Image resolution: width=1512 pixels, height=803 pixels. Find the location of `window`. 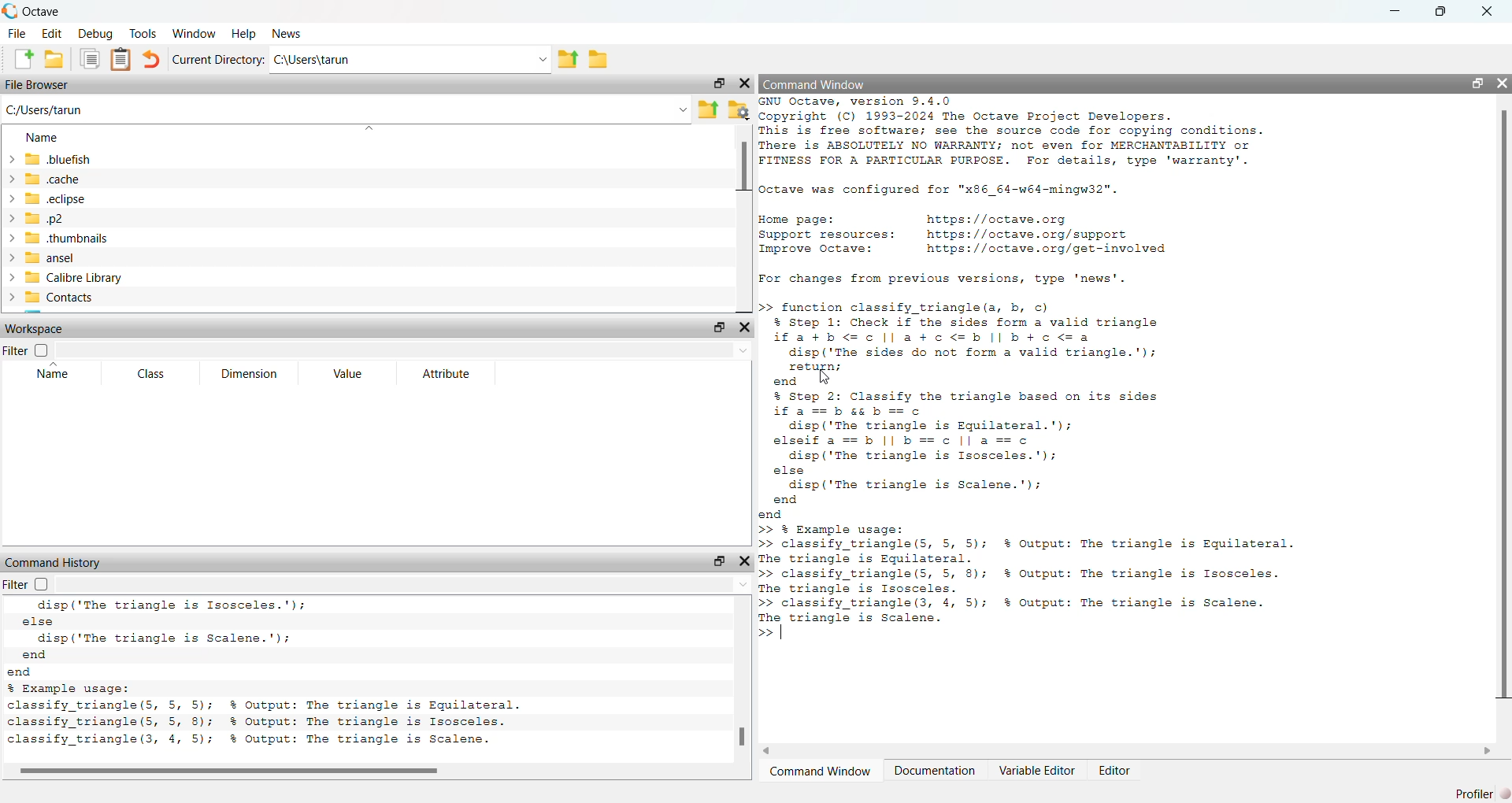

window is located at coordinates (195, 33).